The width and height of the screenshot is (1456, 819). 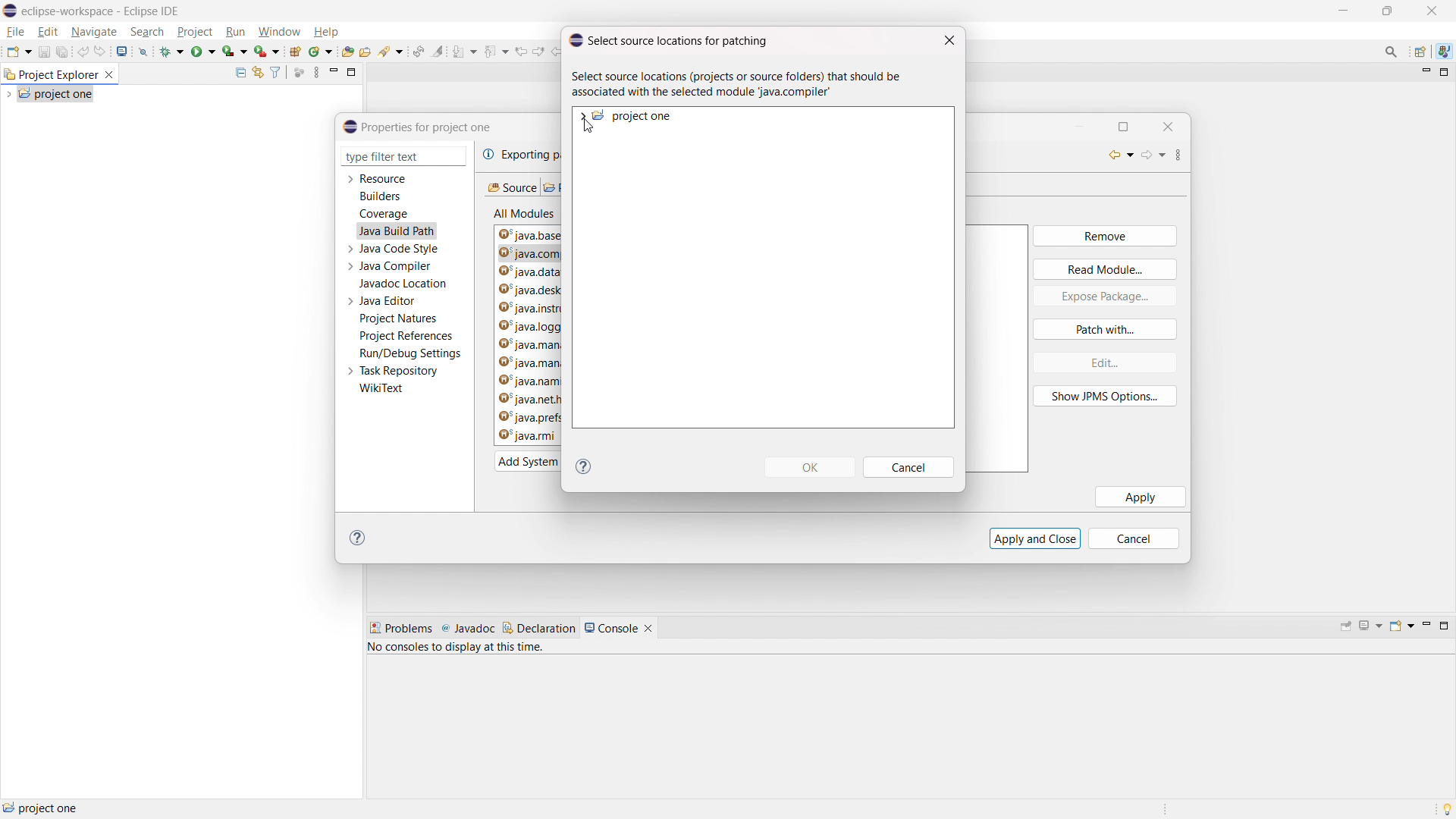 I want to click on toggle ant mark occurances, so click(x=438, y=51).